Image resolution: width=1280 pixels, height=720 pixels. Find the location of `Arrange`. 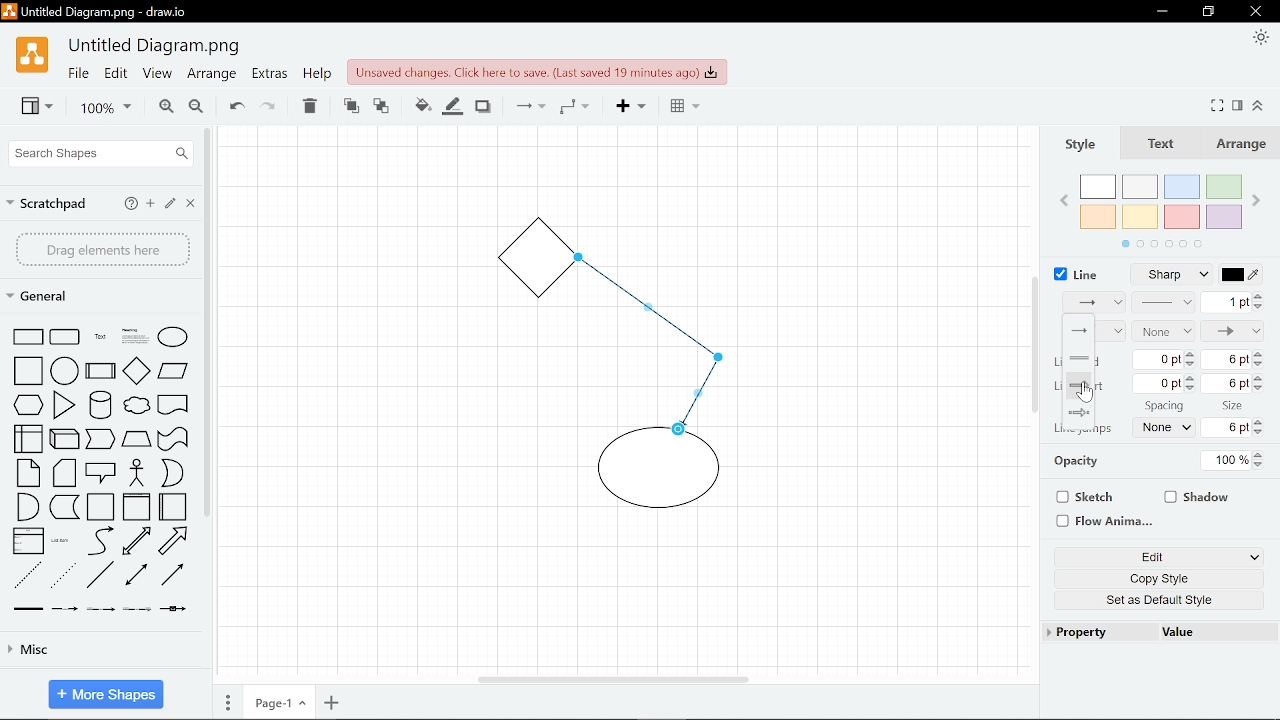

Arrange is located at coordinates (1245, 146).